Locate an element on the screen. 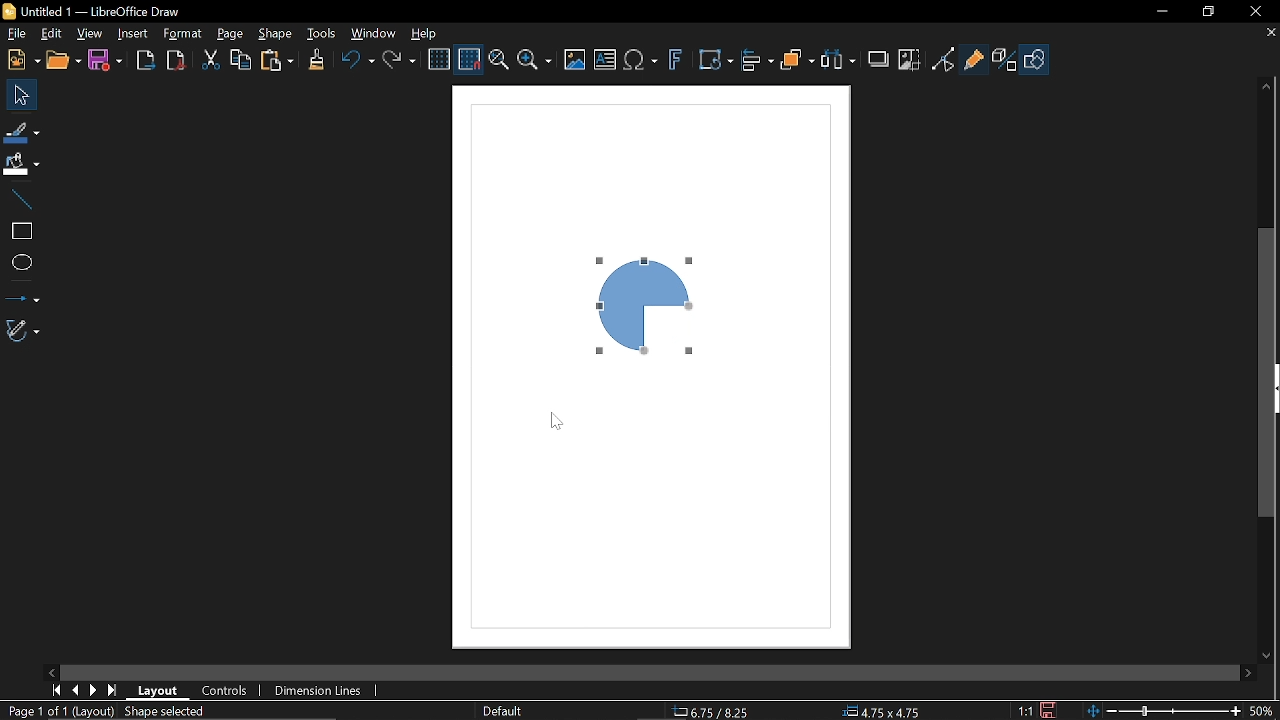 The image size is (1280, 720). Cut is located at coordinates (212, 60).